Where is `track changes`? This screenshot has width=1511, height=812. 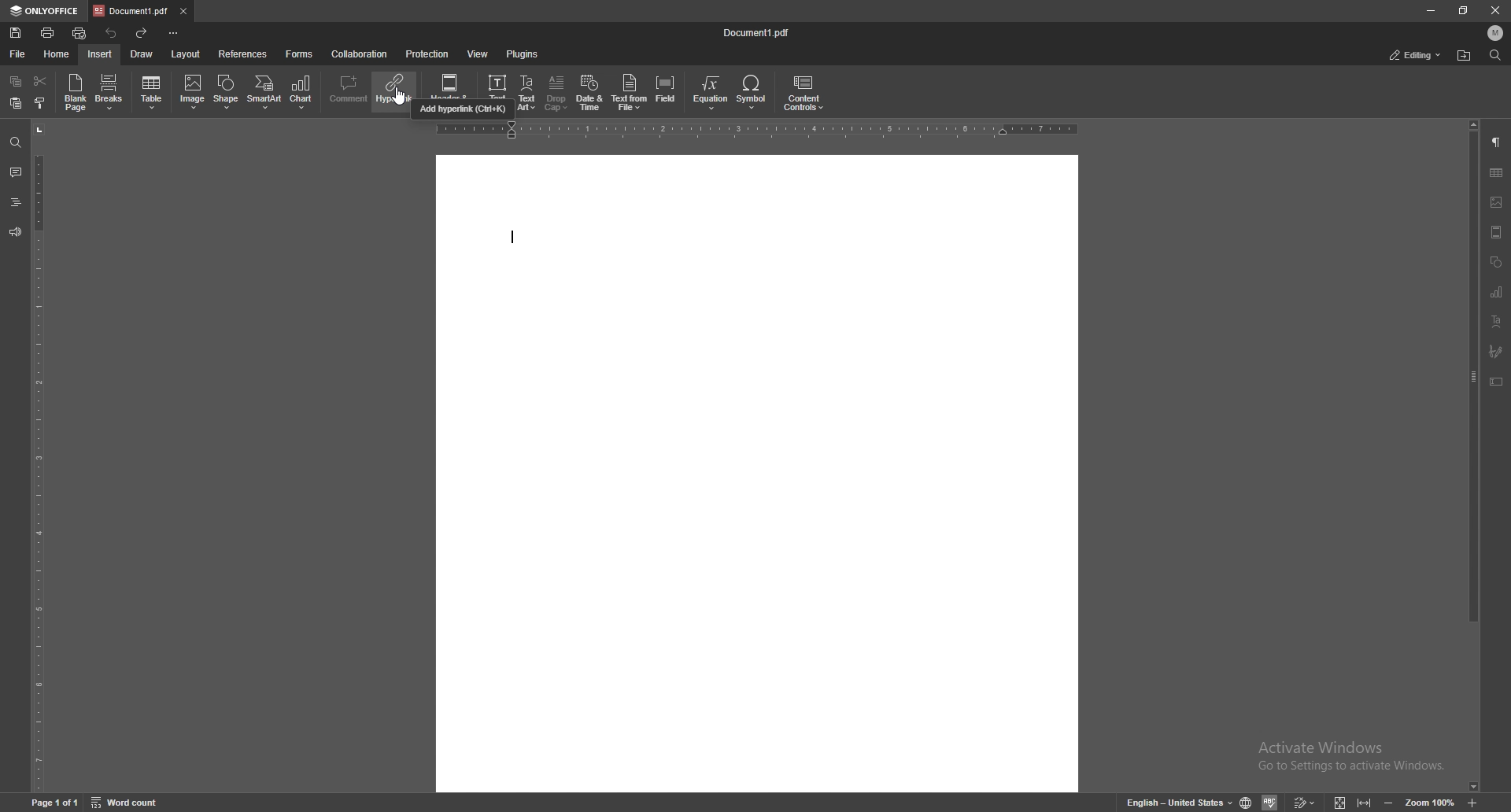 track changes is located at coordinates (1306, 802).